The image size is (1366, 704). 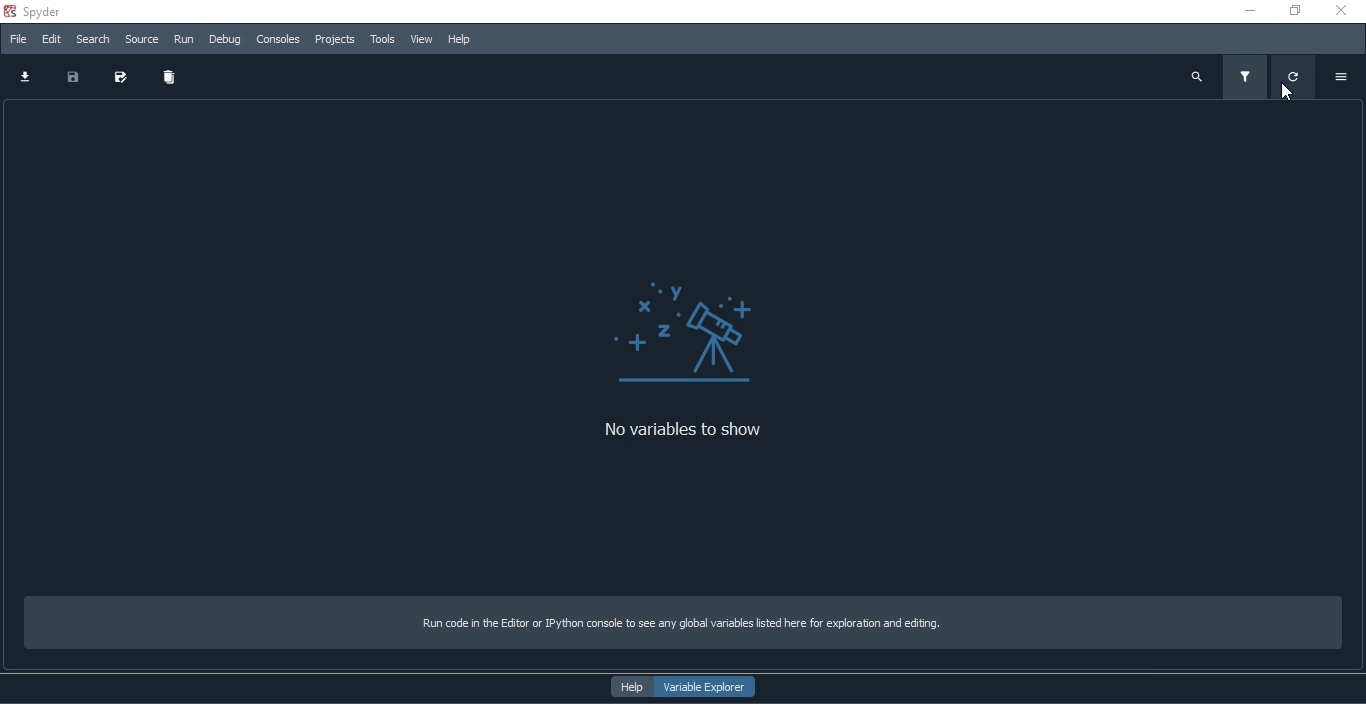 I want to click on Search, so click(x=93, y=39).